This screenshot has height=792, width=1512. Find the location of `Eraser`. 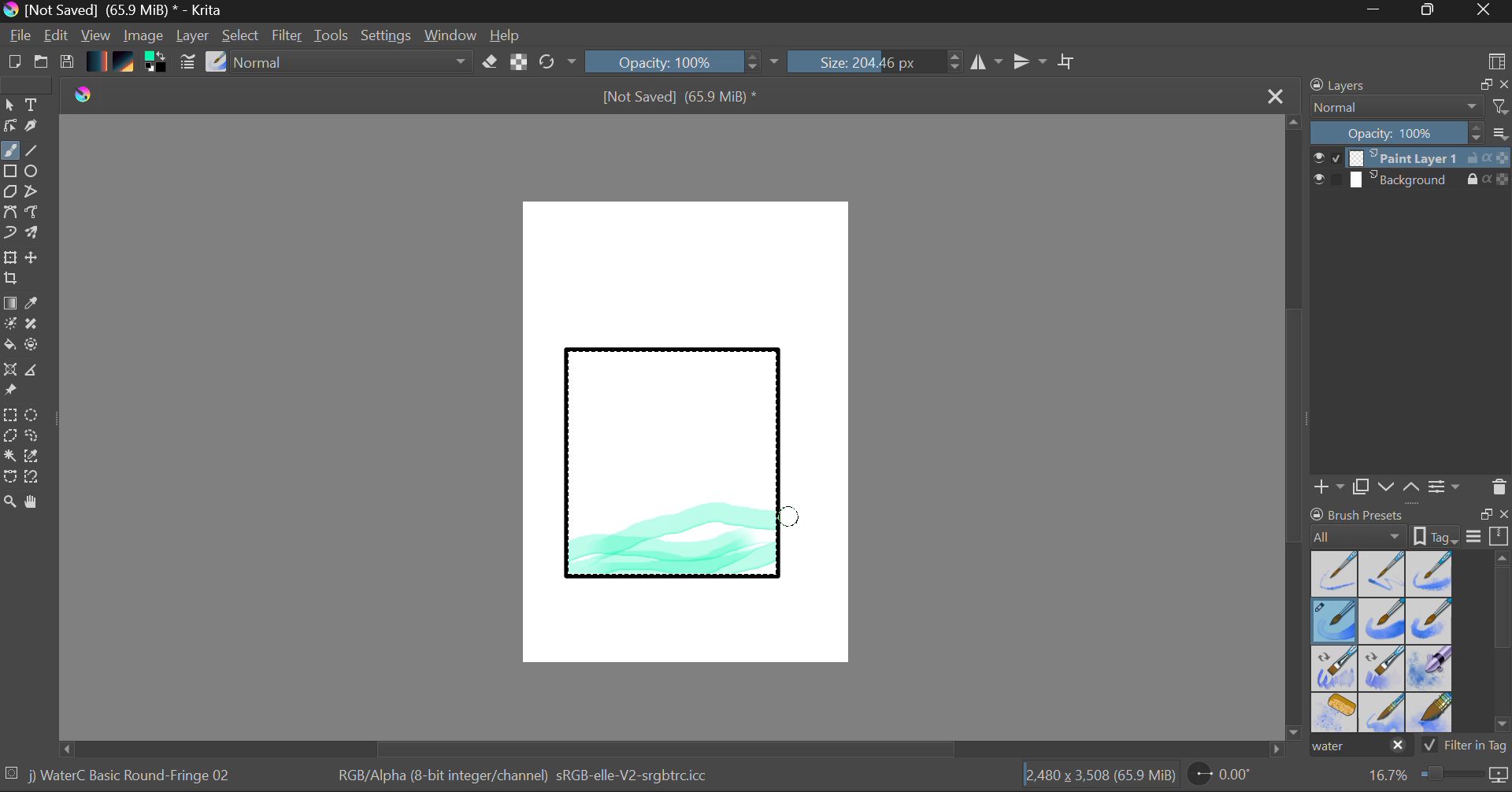

Eraser is located at coordinates (491, 62).